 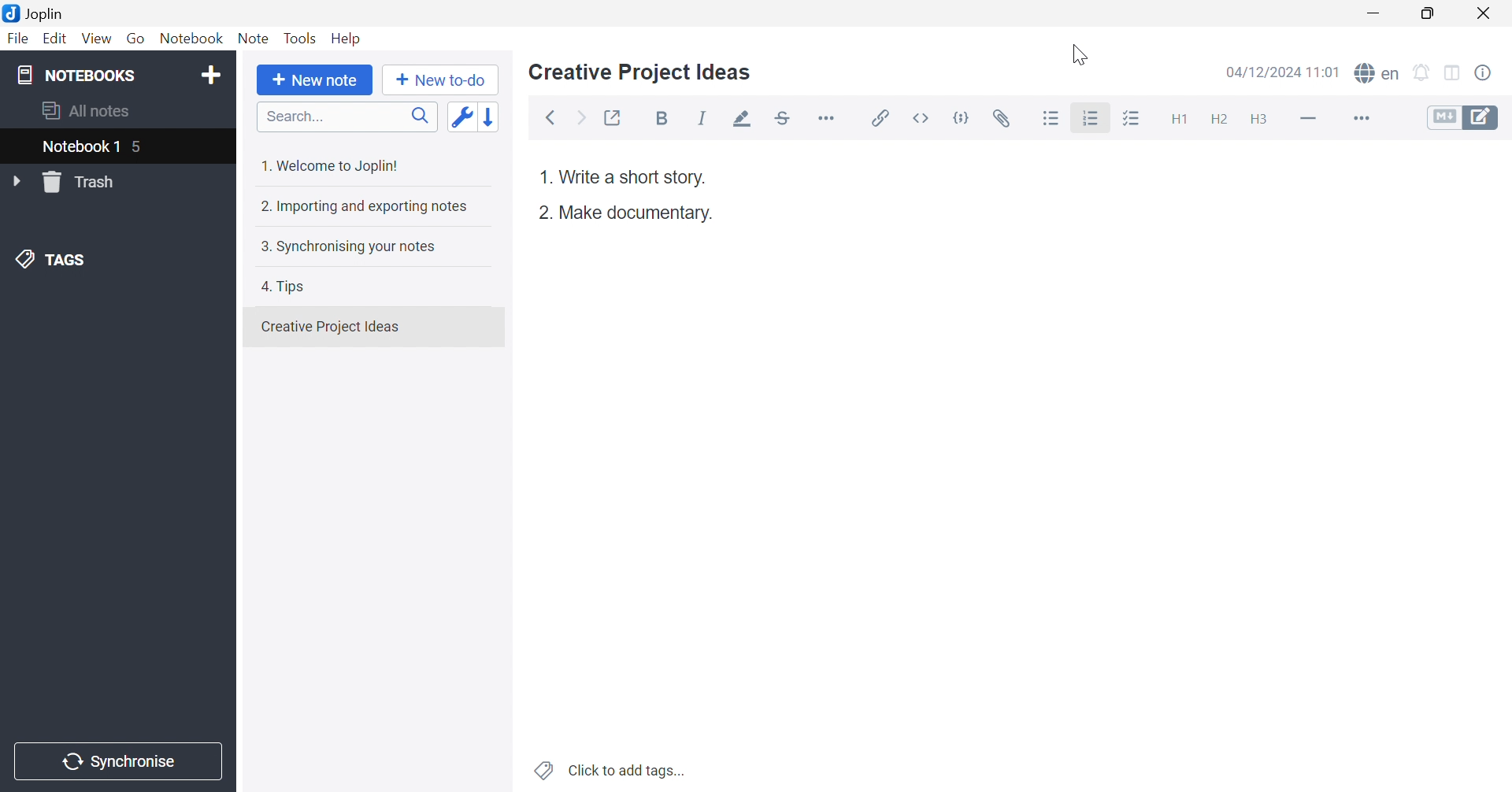 I want to click on Horizontal line, so click(x=1308, y=119).